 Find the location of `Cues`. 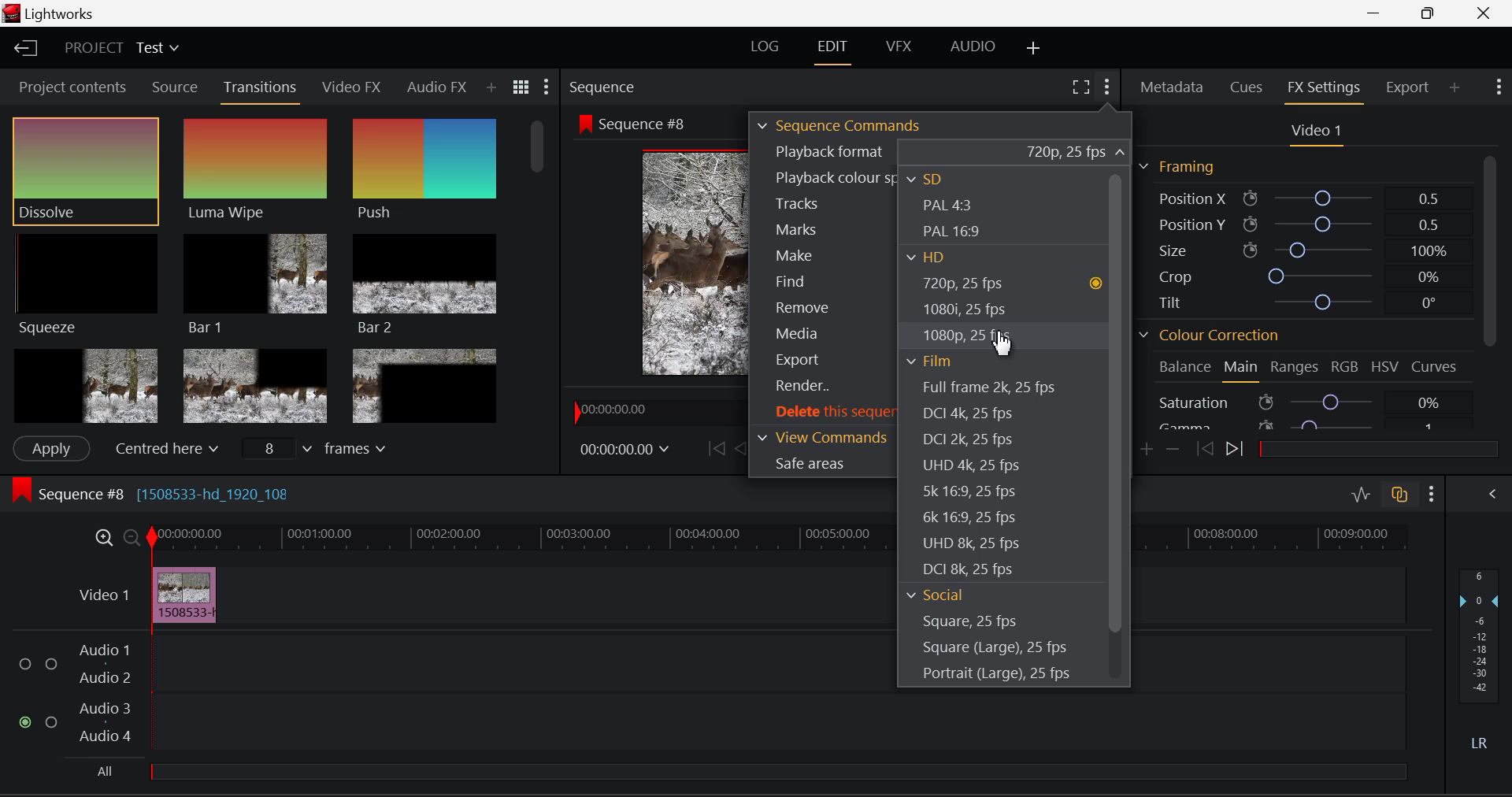

Cues is located at coordinates (1247, 85).